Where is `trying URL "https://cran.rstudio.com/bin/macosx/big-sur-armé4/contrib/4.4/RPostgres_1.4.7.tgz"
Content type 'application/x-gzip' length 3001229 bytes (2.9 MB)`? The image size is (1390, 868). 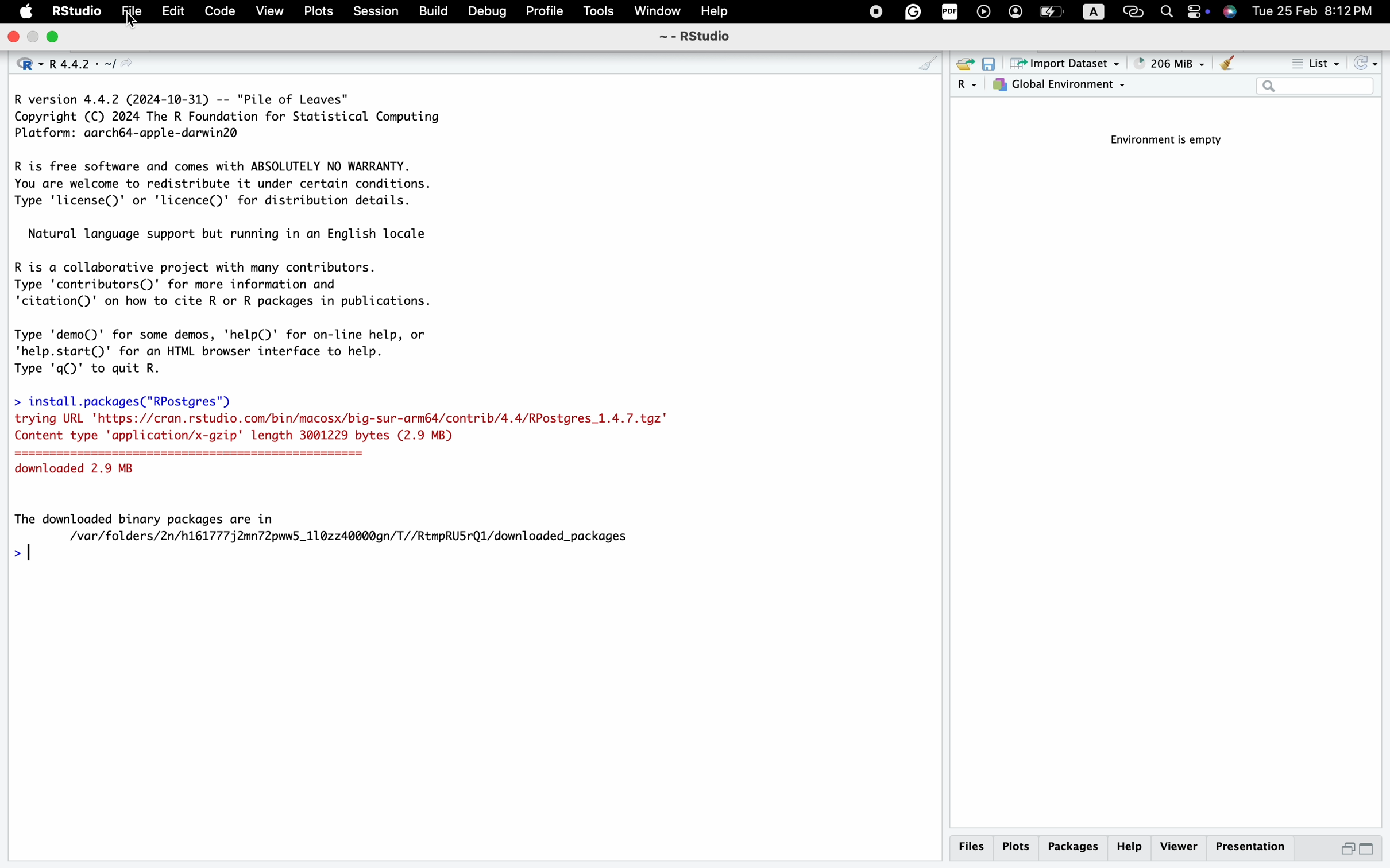
trying URL "https://cran.rstudio.com/bin/macosx/big-sur-armé4/contrib/4.4/RPostgres_1.4.7.tgz"
Content type 'application/x-gzip' length 3001229 bytes (2.9 MB) is located at coordinates (345, 429).